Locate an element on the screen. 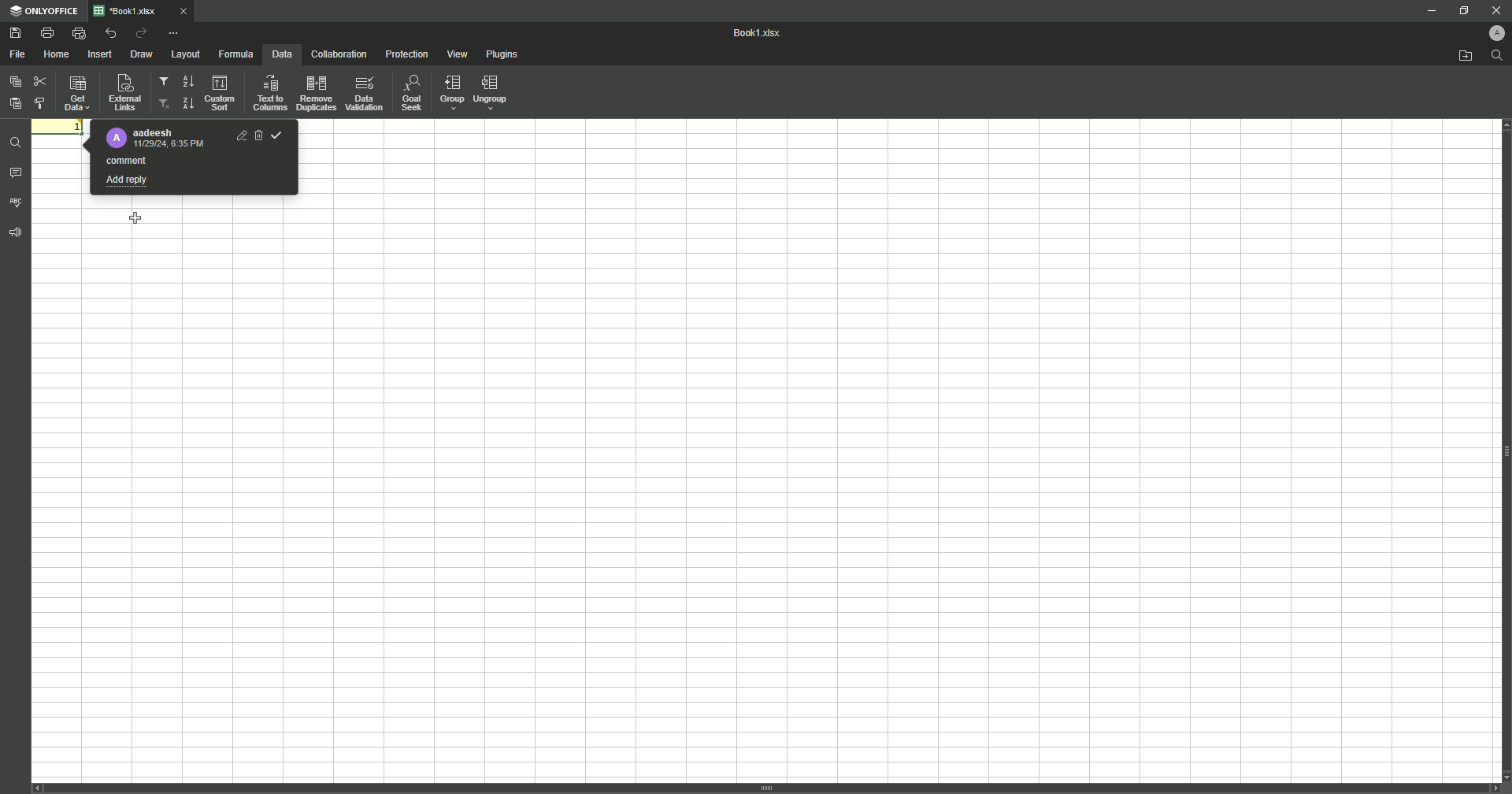 This screenshot has width=1512, height=794. Edit is located at coordinates (241, 135).